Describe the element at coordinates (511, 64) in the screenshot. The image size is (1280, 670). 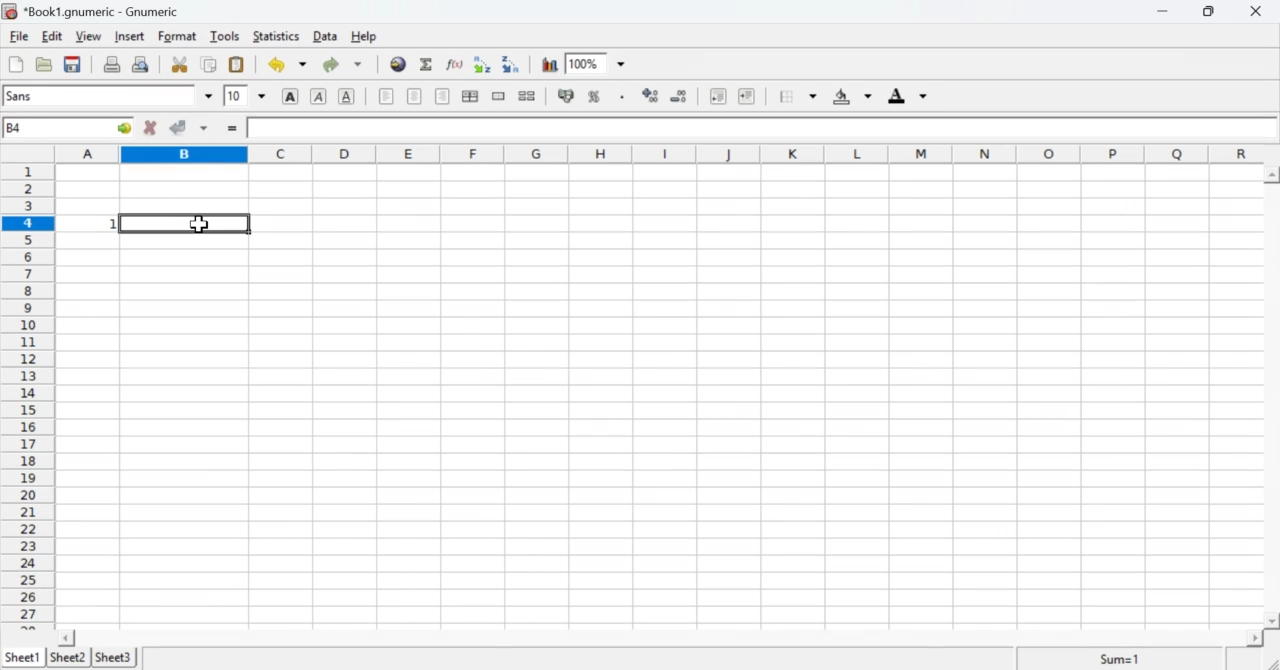
I see `Sort into descending` at that location.